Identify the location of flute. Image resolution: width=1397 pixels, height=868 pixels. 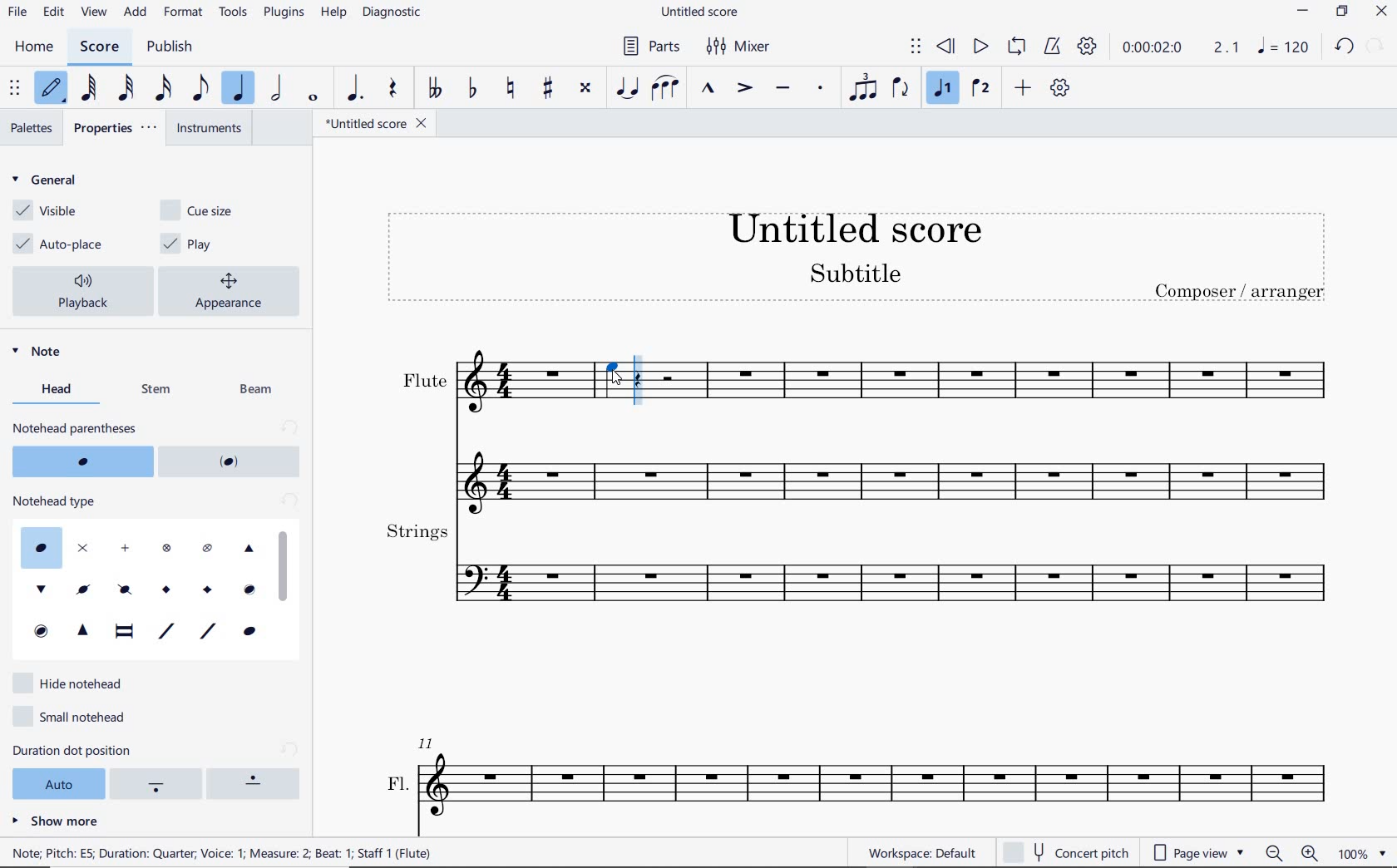
(985, 383).